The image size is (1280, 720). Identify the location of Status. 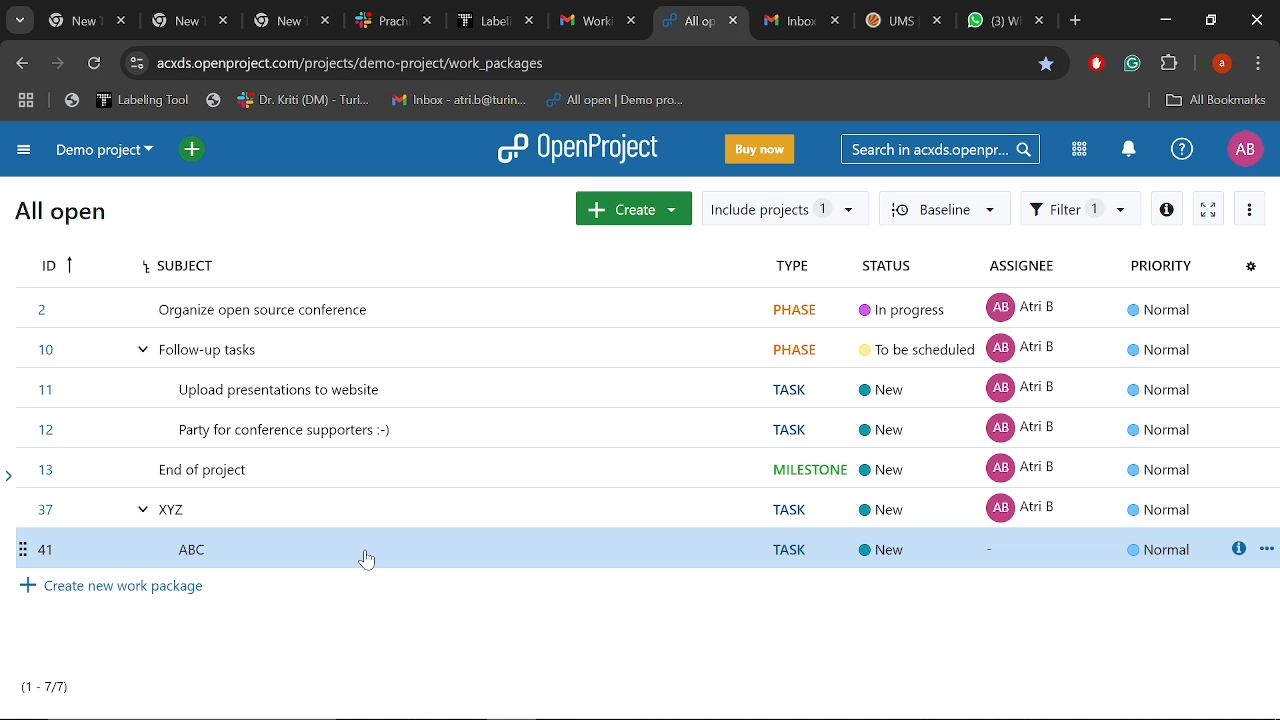
(910, 265).